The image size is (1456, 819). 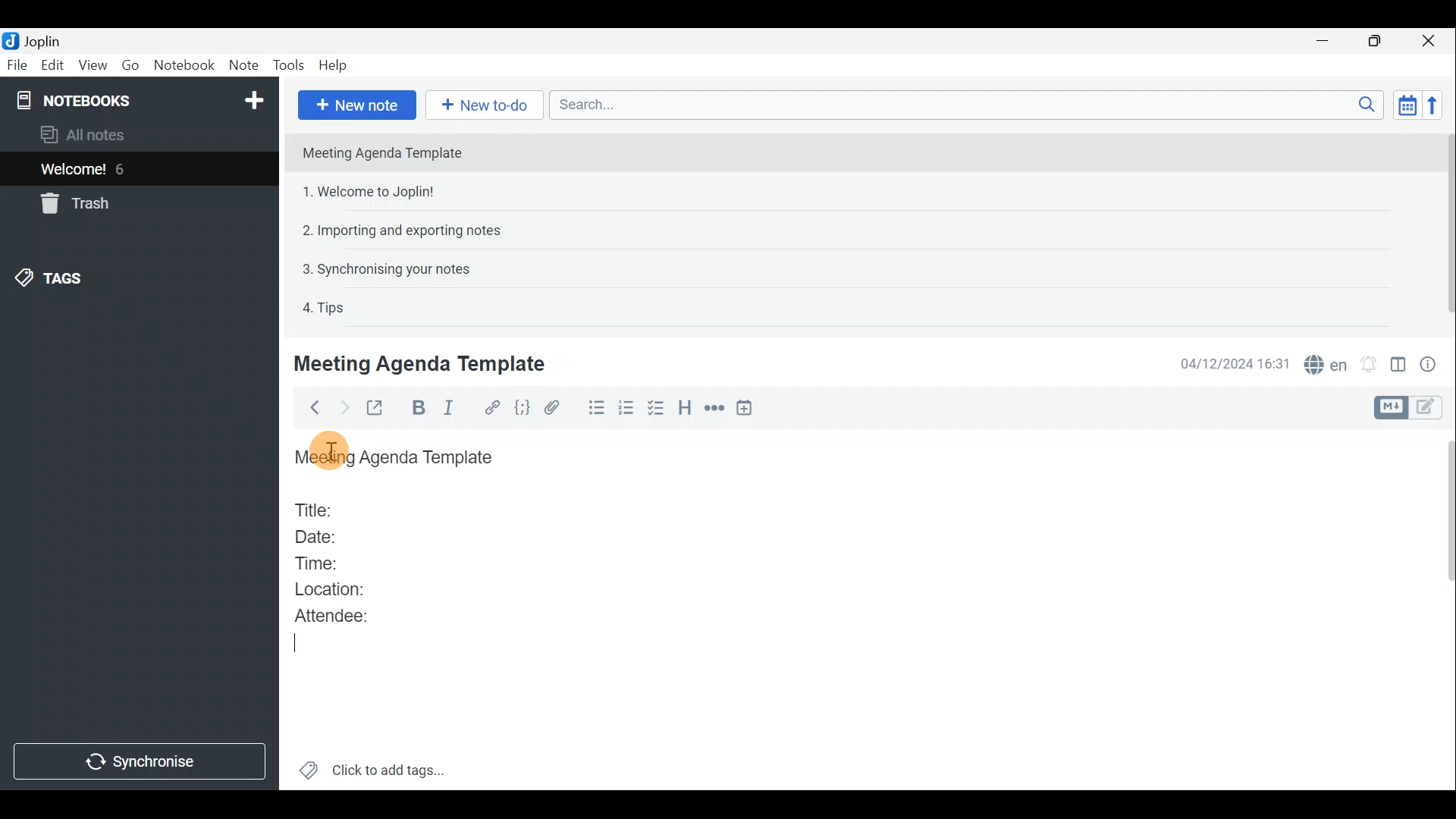 What do you see at coordinates (142, 761) in the screenshot?
I see `Synchronise` at bounding box center [142, 761].